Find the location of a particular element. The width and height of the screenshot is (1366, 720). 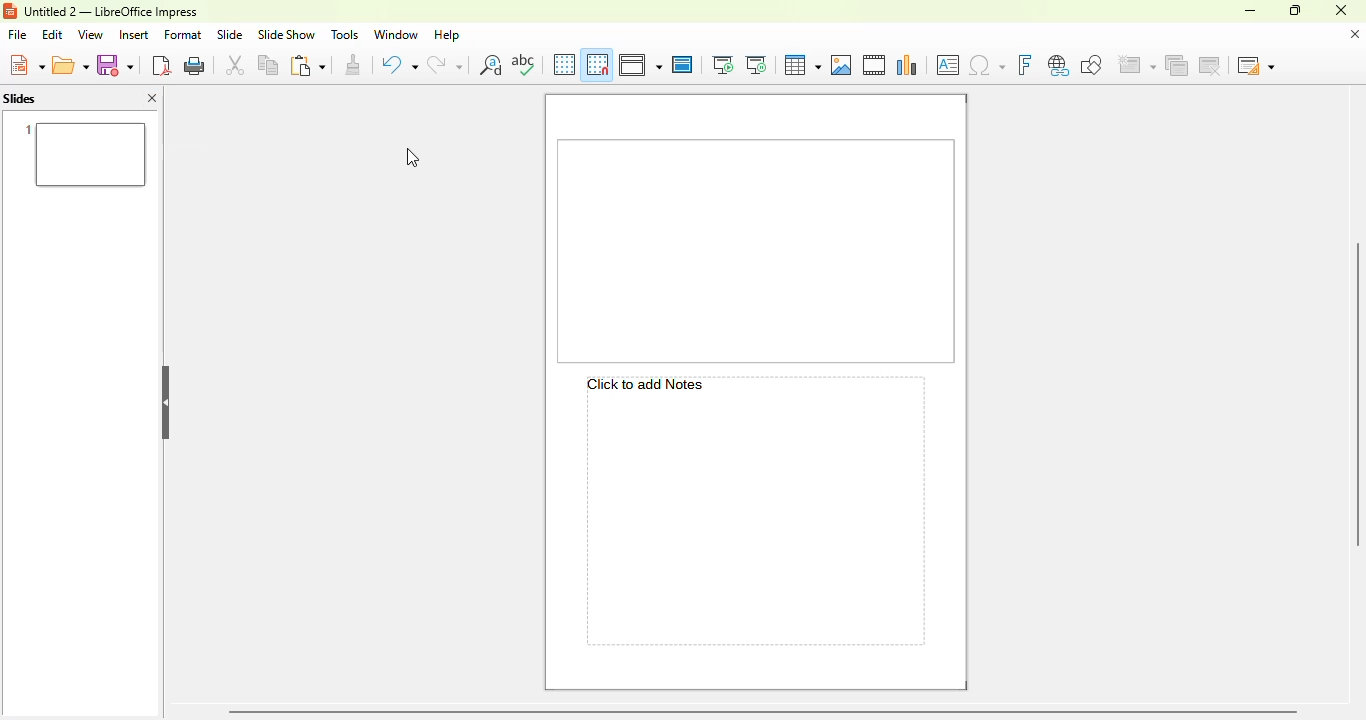

insert hyperlink is located at coordinates (1058, 64).